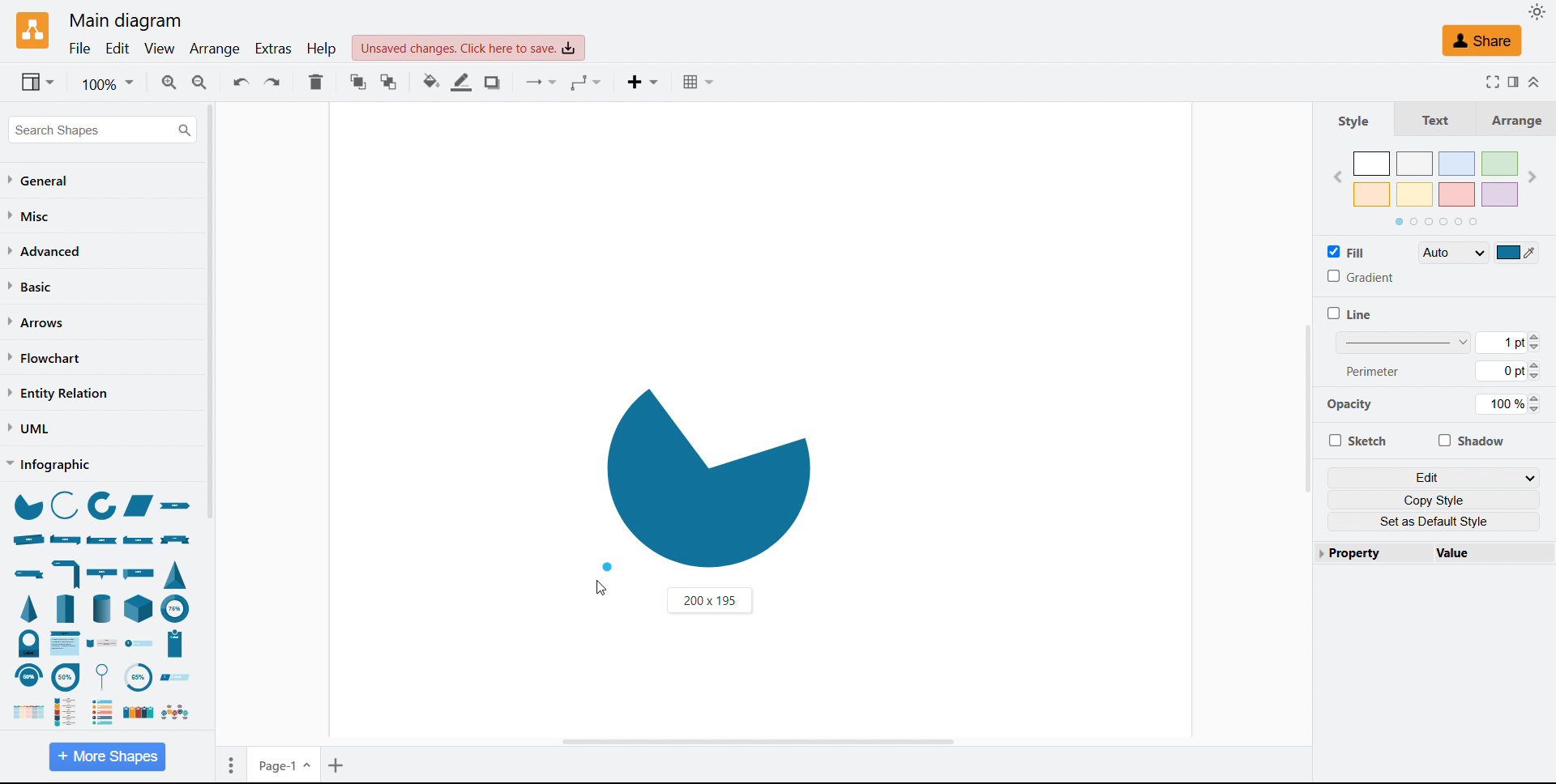 This screenshot has width=1556, height=784. Describe the element at coordinates (1536, 83) in the screenshot. I see `Collapse ` at that location.